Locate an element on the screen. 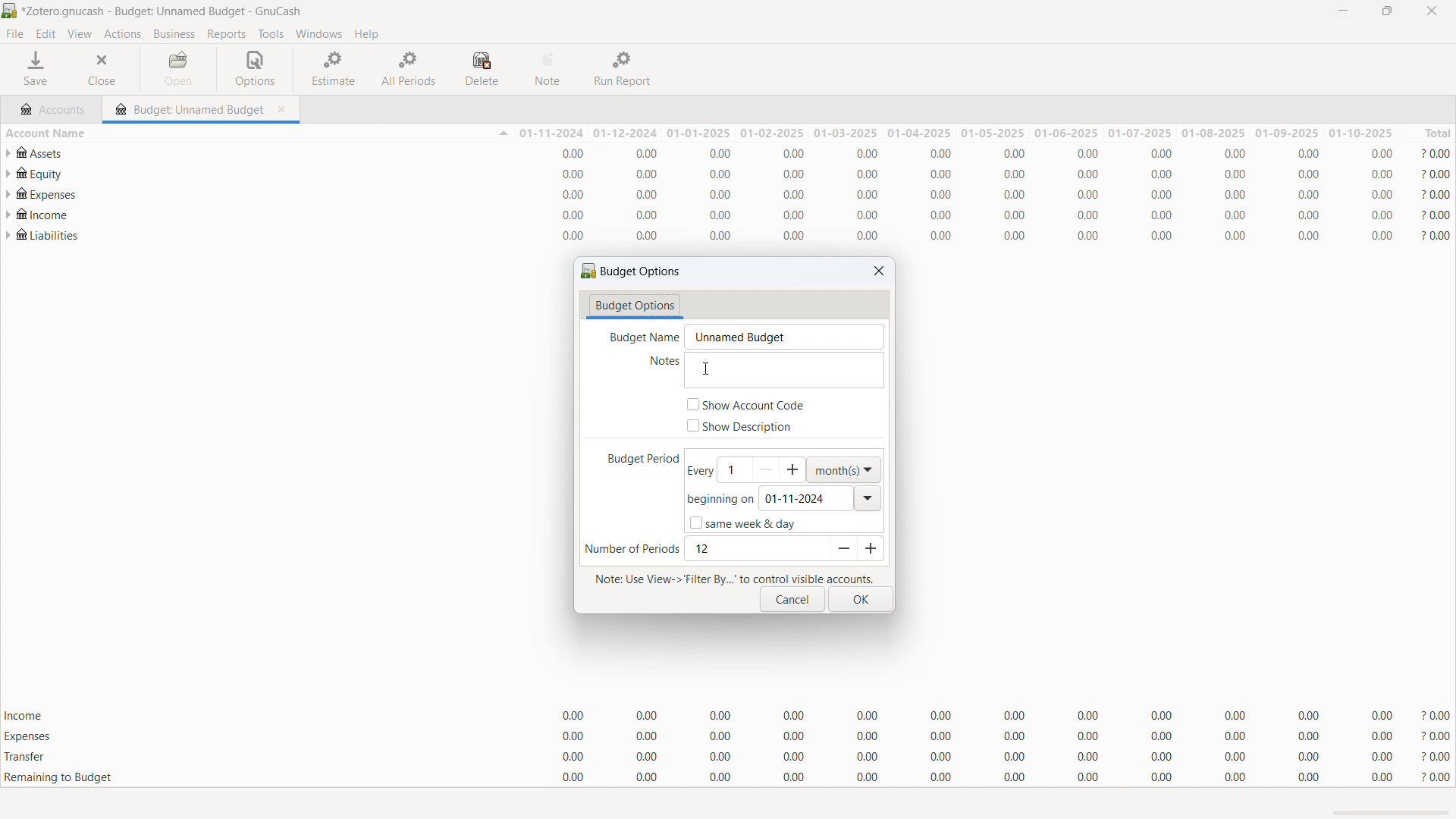  01-11-2024 is located at coordinates (551, 133).